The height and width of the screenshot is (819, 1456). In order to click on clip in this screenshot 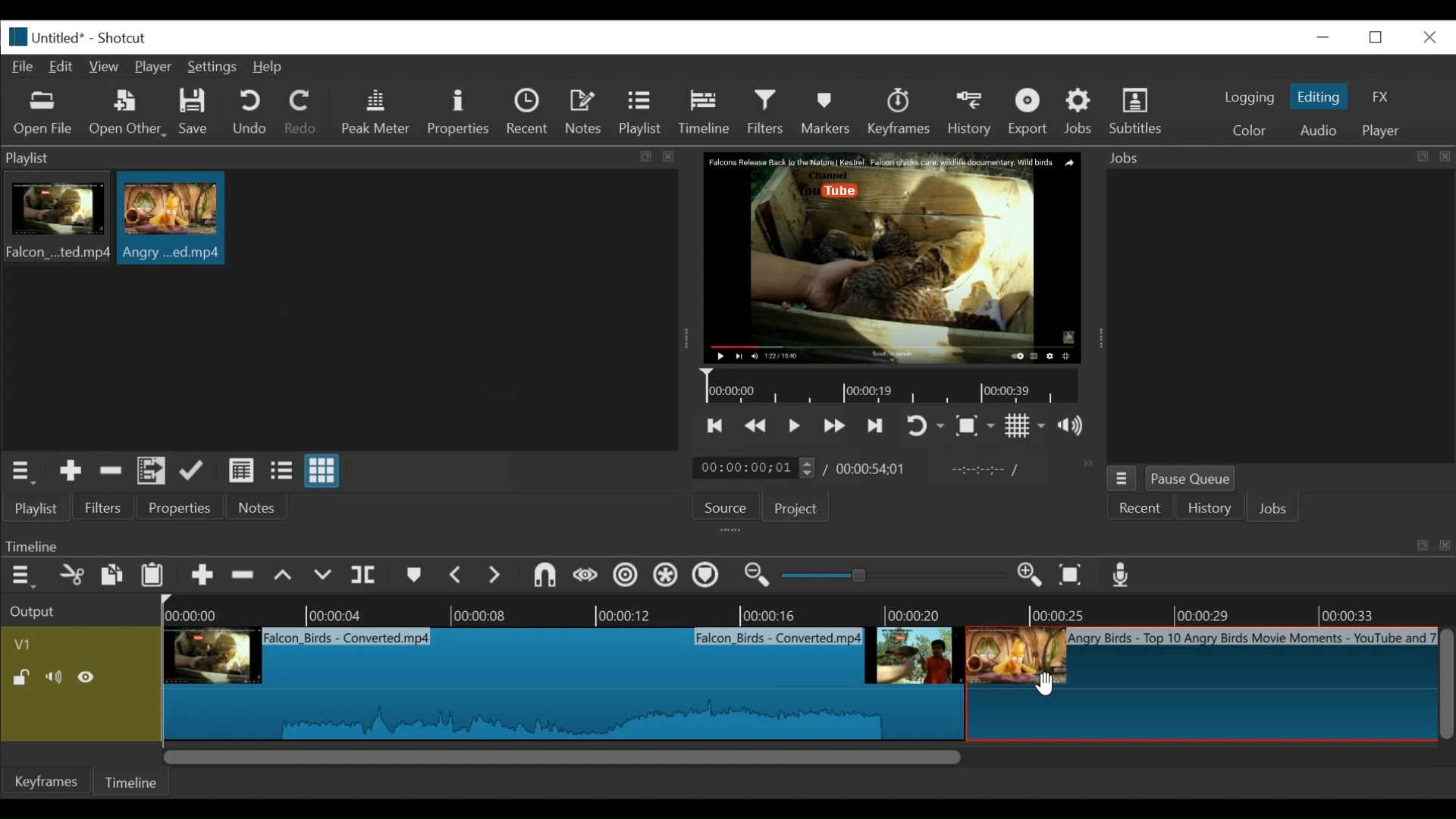, I will do `click(55, 220)`.